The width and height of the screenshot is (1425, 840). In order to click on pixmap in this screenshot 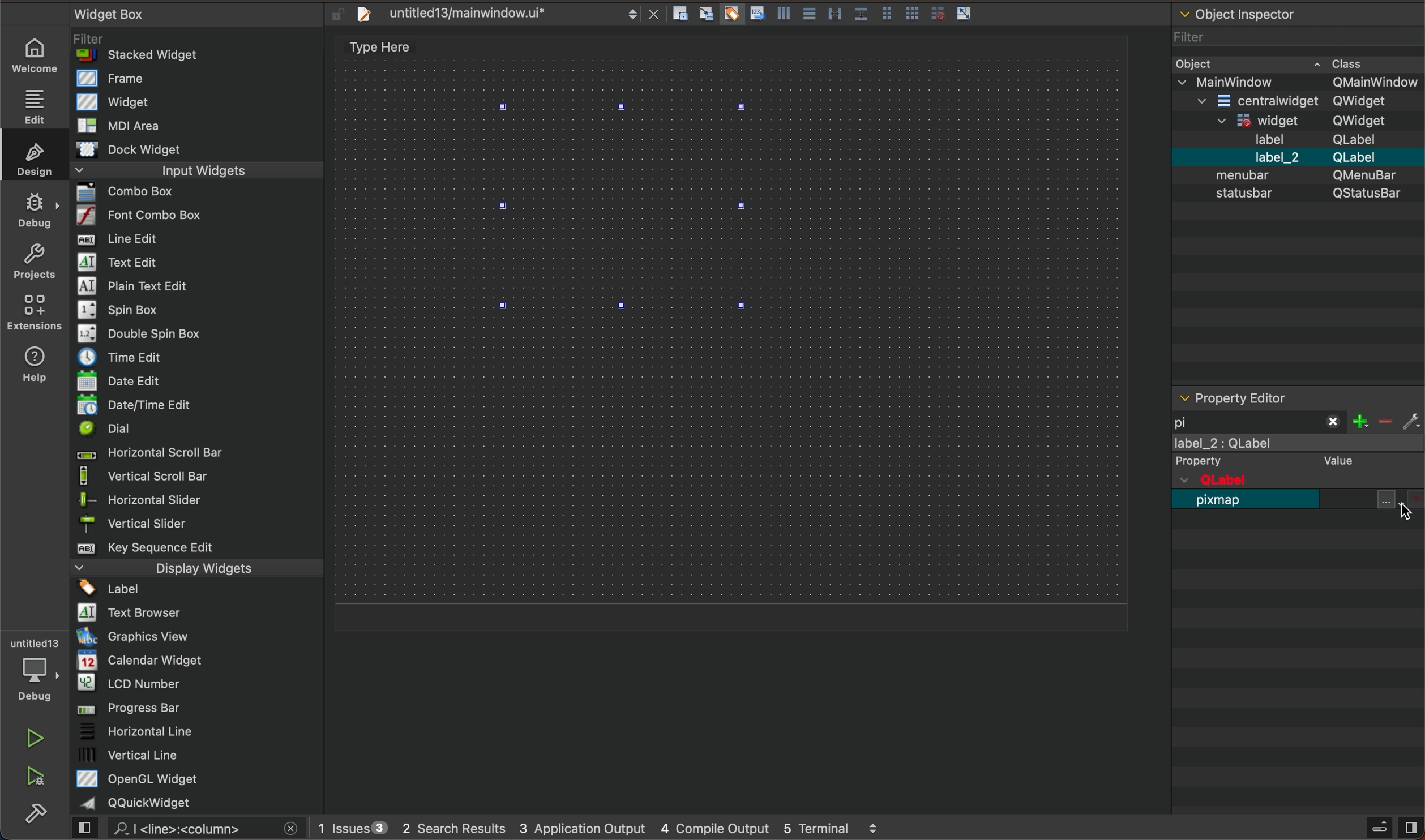, I will do `click(1223, 506)`.